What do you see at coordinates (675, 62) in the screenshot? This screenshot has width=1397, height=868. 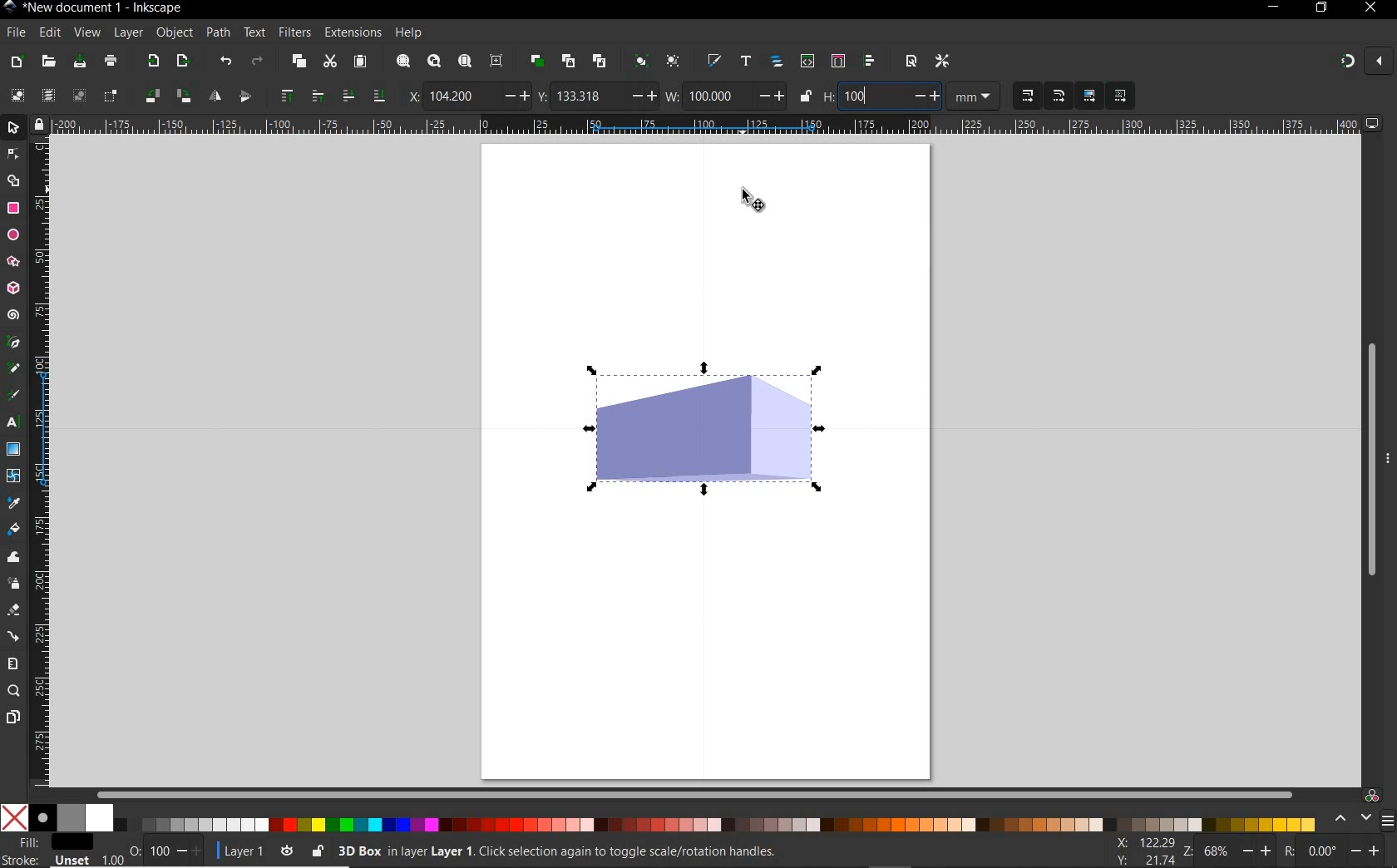 I see `ungroup` at bounding box center [675, 62].